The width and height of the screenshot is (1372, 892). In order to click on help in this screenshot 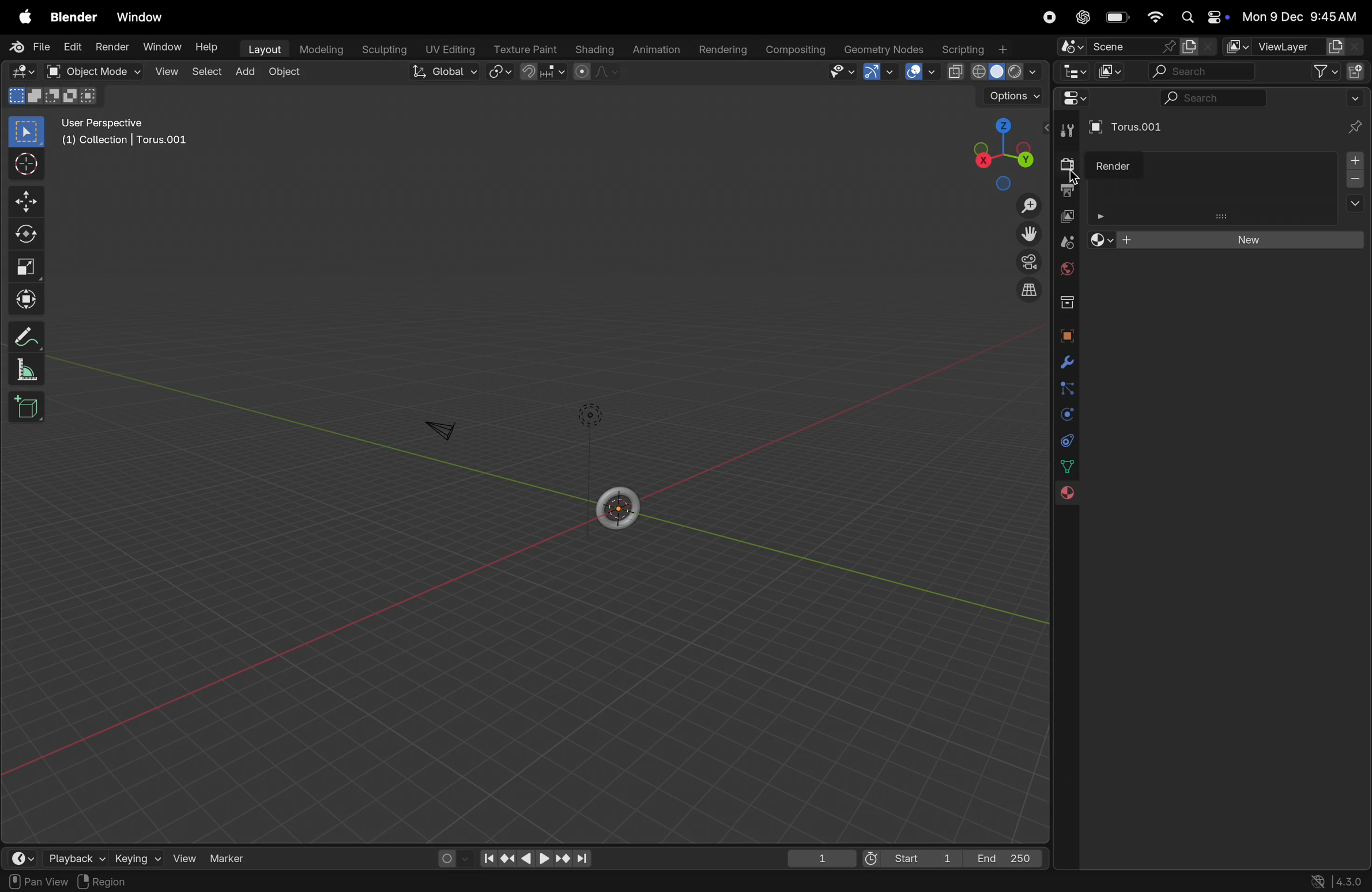, I will do `click(208, 48)`.